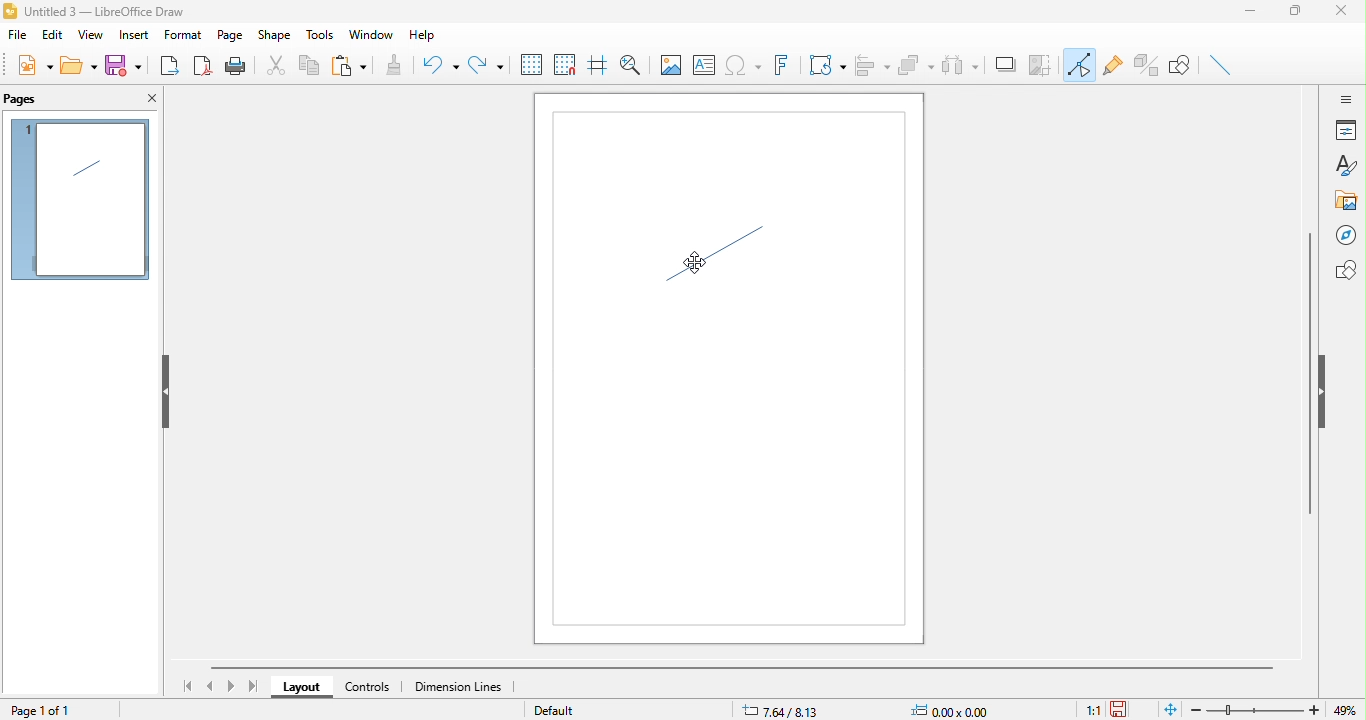  What do you see at coordinates (715, 262) in the screenshot?
I see `line` at bounding box center [715, 262].